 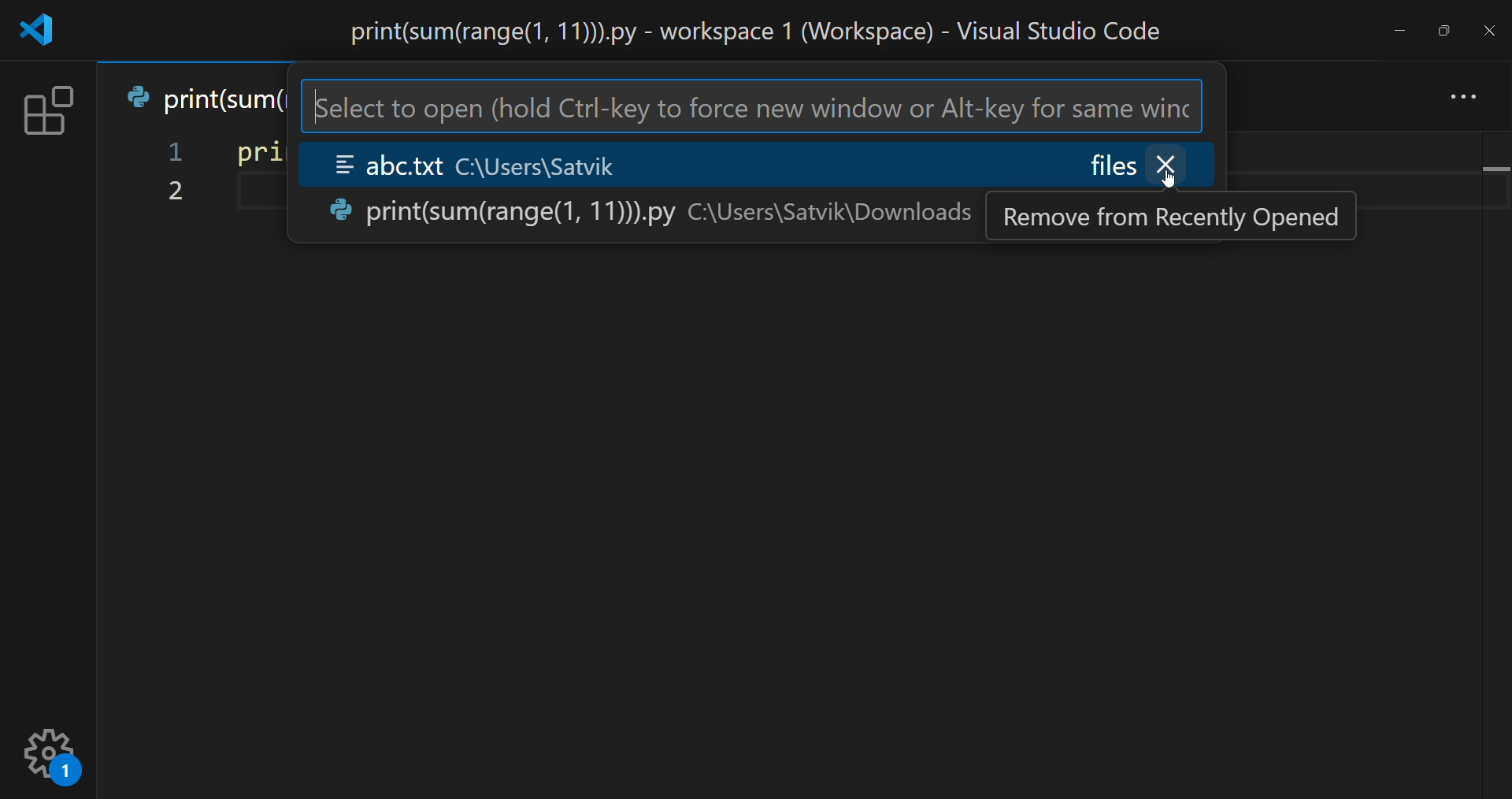 What do you see at coordinates (201, 98) in the screenshot?
I see `print(sum(` at bounding box center [201, 98].